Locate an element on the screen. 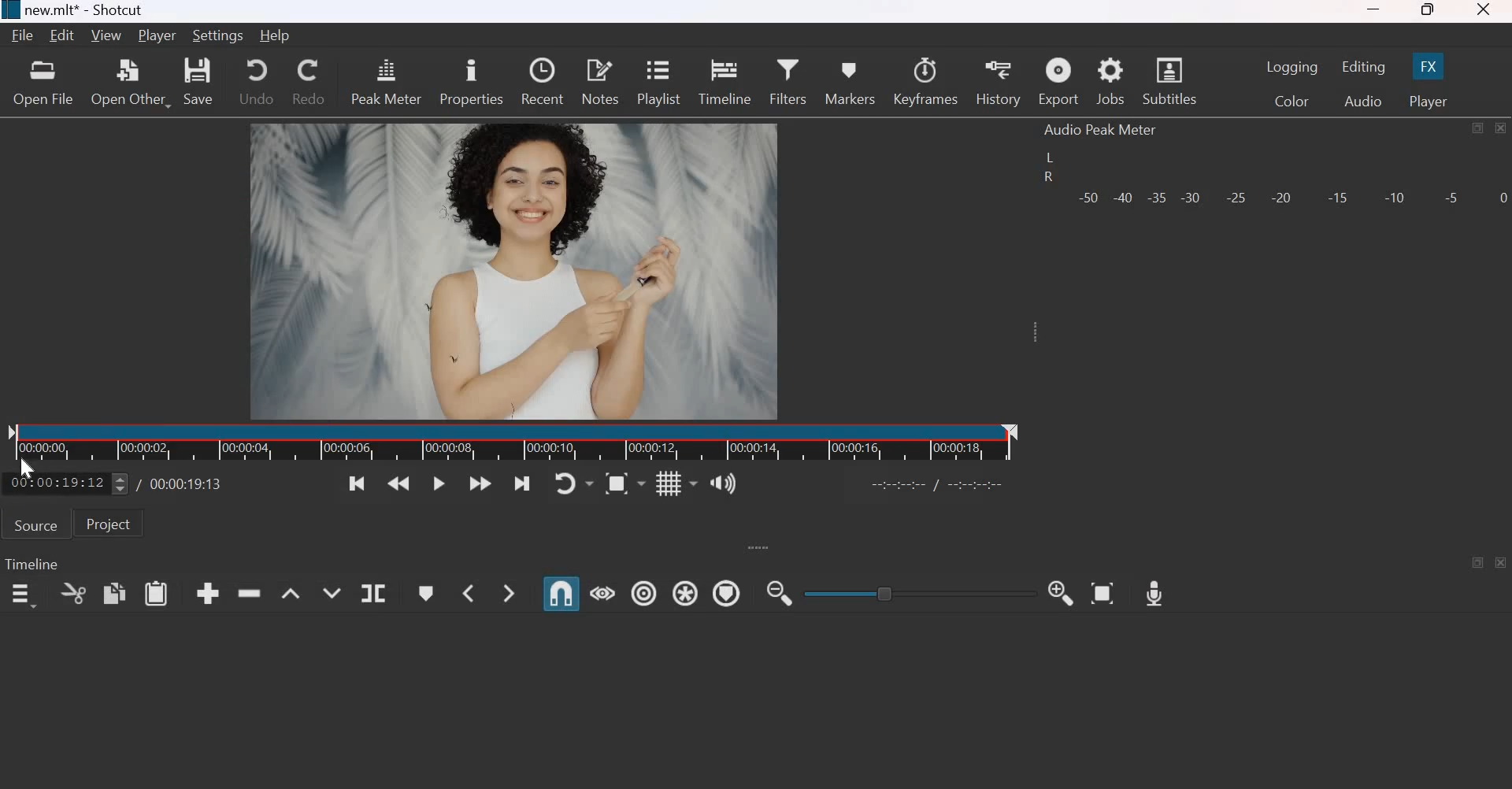  close is located at coordinates (1502, 563).